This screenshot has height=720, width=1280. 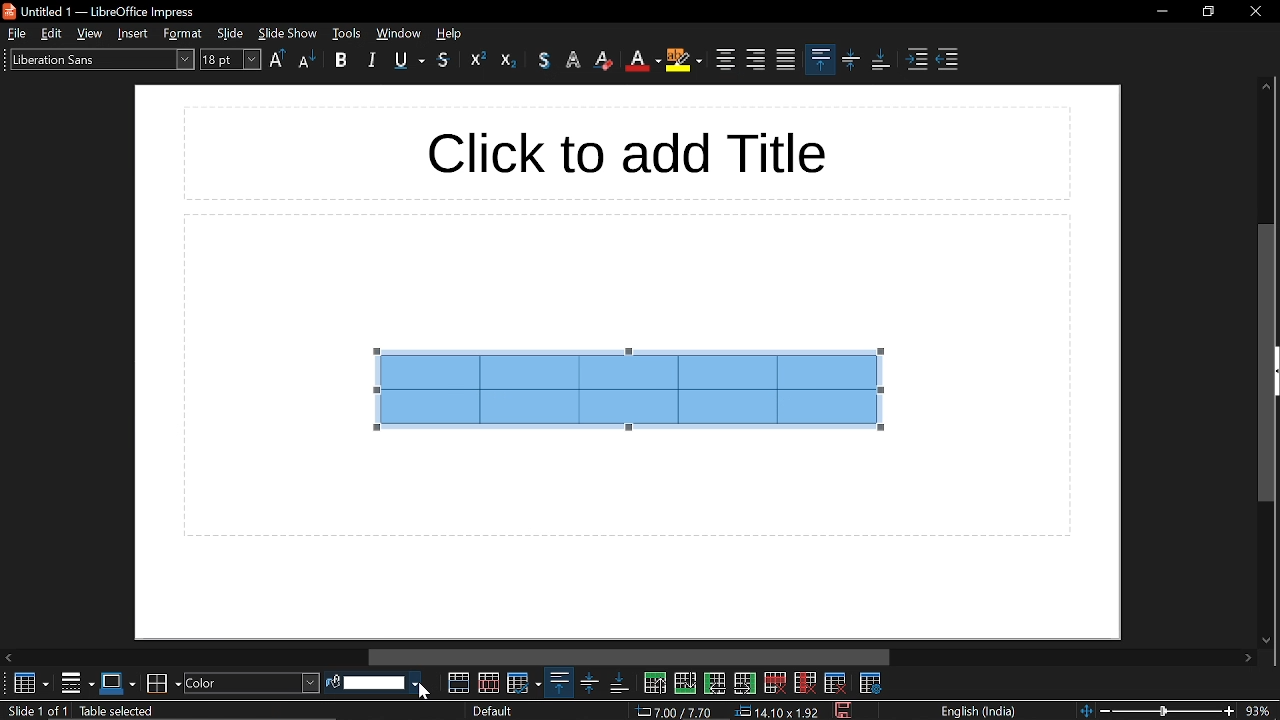 What do you see at coordinates (478, 59) in the screenshot?
I see `outline` at bounding box center [478, 59].